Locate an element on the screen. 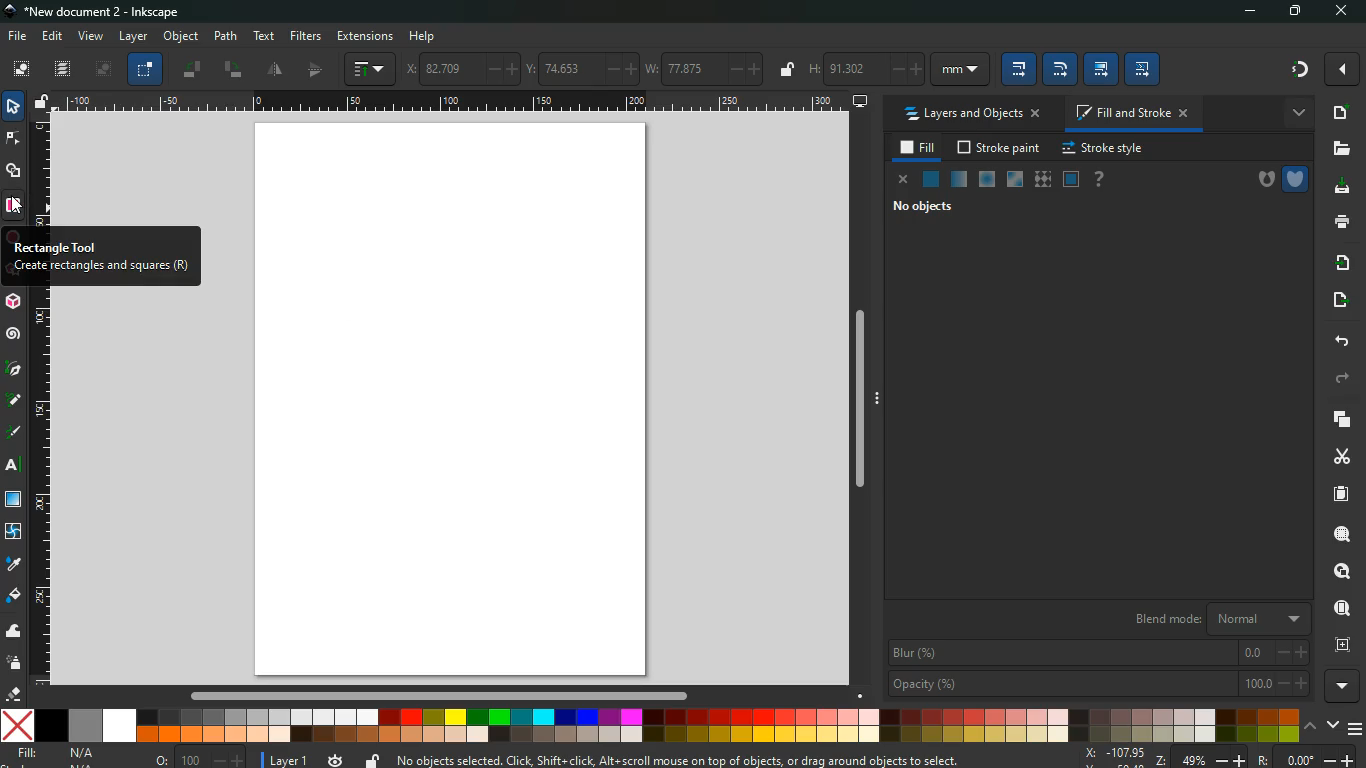 The width and height of the screenshot is (1366, 768). pic is located at coordinates (15, 370).